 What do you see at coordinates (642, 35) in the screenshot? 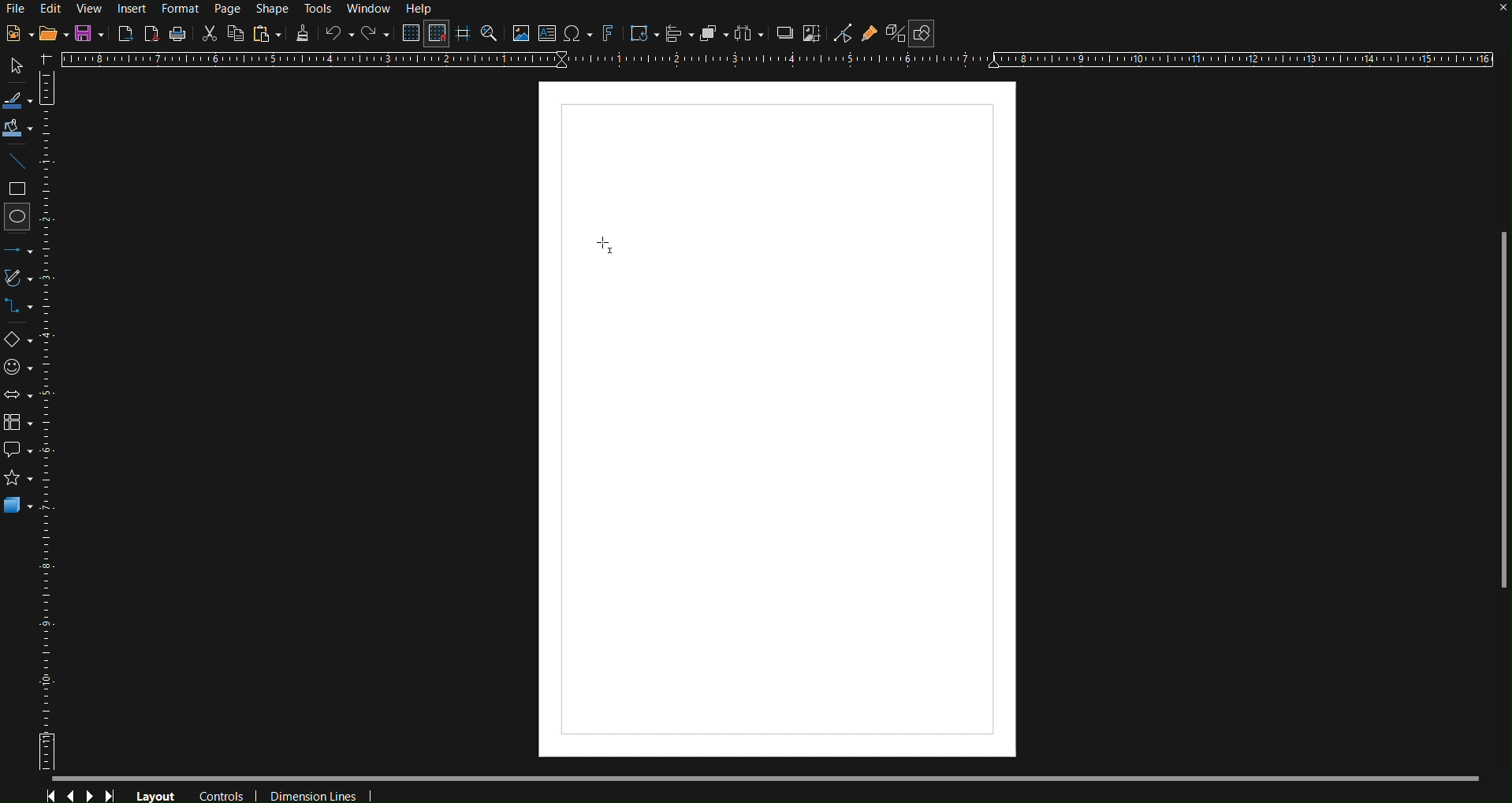
I see `Transformations` at bounding box center [642, 35].